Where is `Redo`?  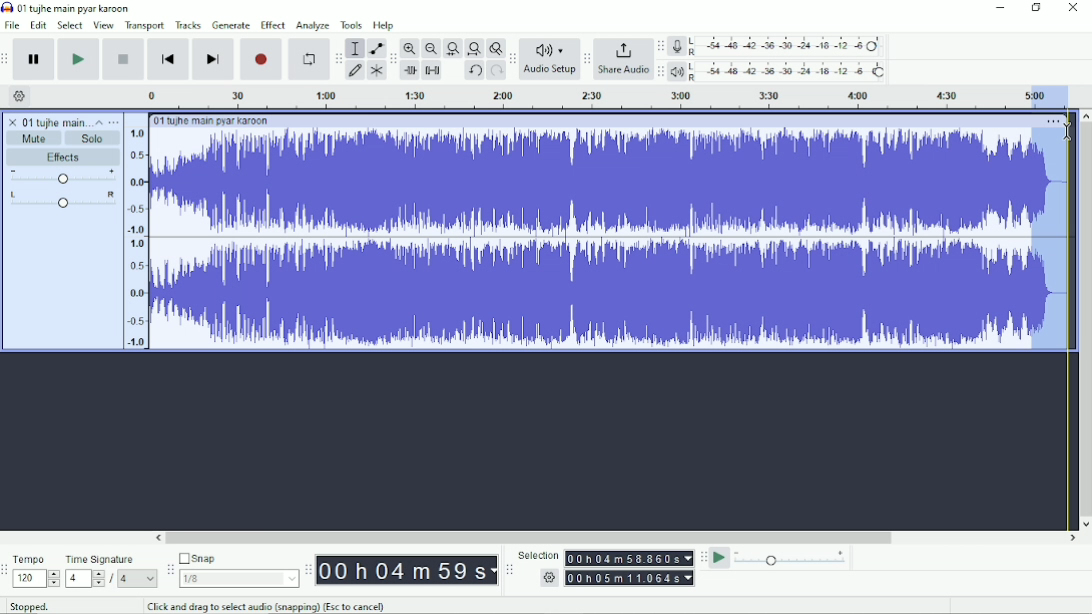
Redo is located at coordinates (496, 69).